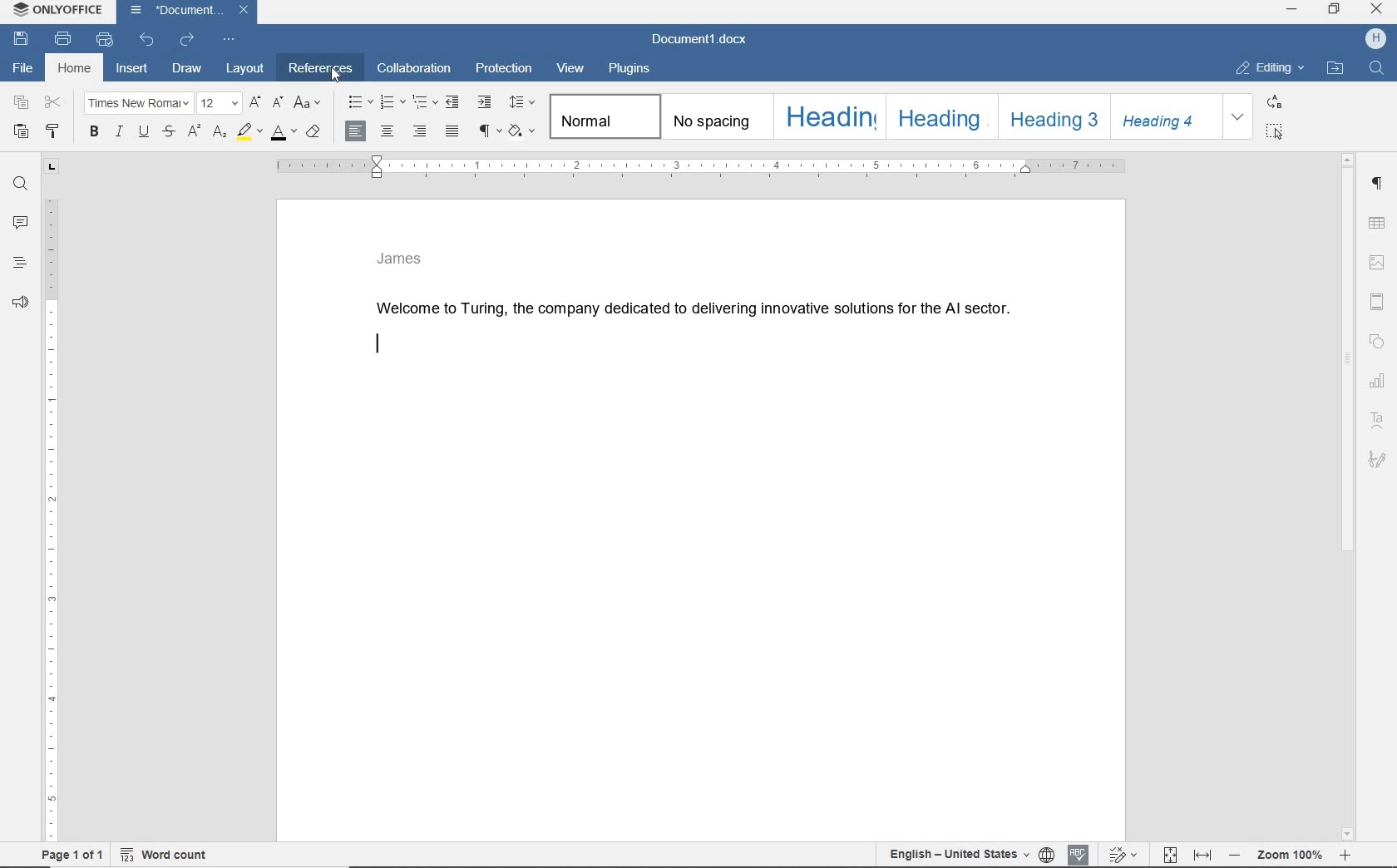 The height and width of the screenshot is (868, 1397). I want to click on print file, so click(64, 40).